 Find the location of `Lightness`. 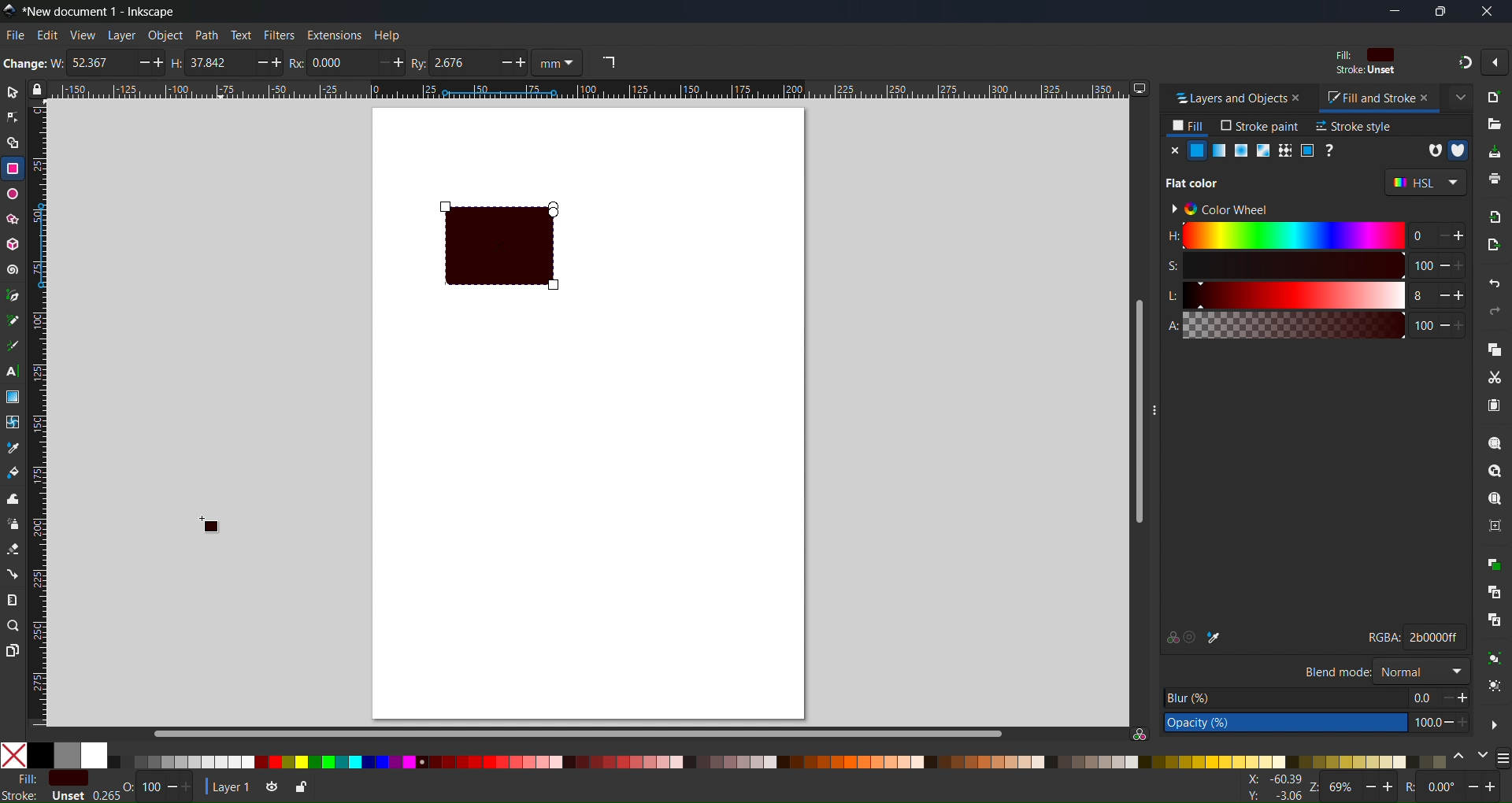

Lightness is located at coordinates (1283, 295).